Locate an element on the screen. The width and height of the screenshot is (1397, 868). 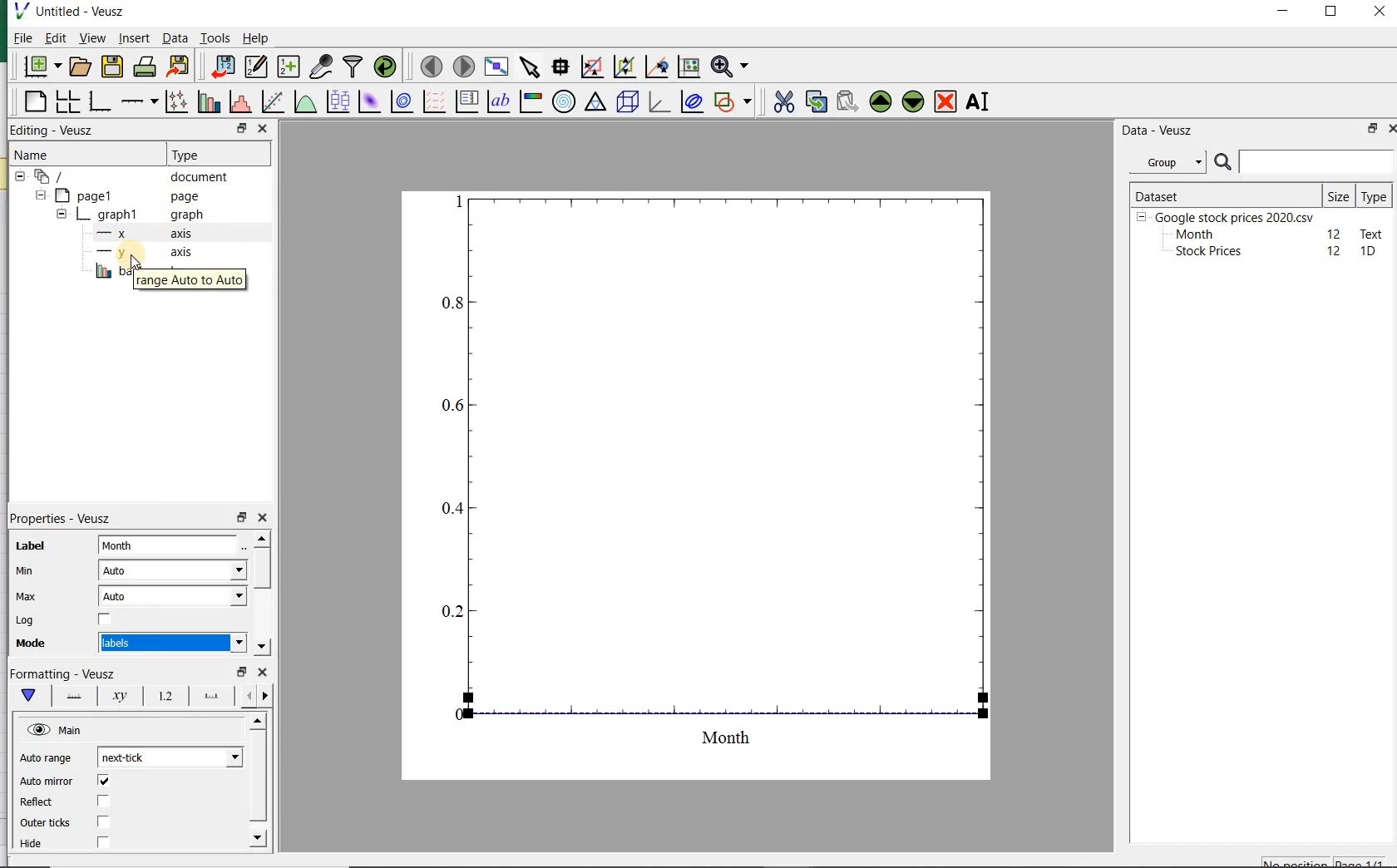
Auto is located at coordinates (173, 596).